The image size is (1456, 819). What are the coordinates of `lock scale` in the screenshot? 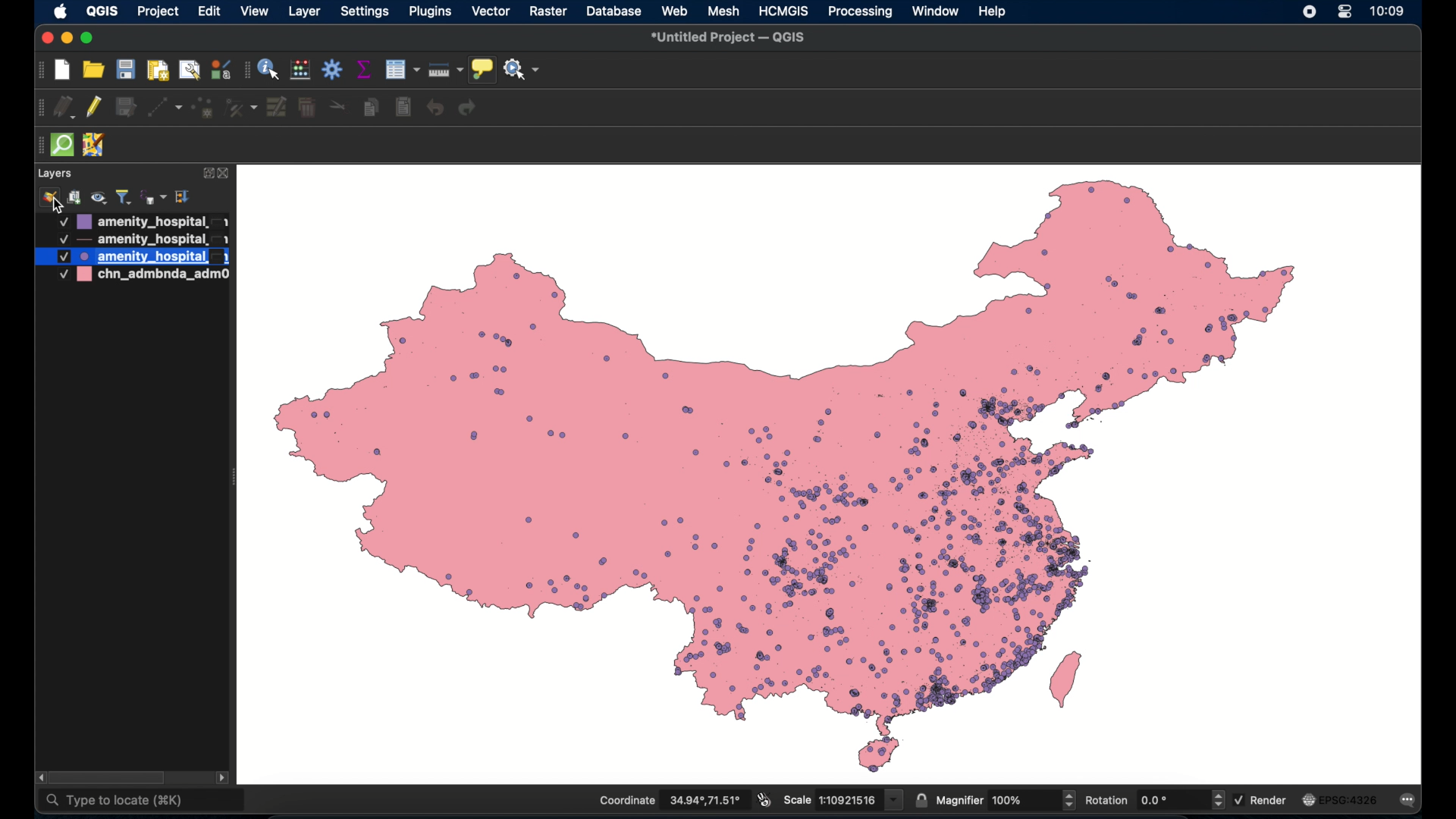 It's located at (920, 801).